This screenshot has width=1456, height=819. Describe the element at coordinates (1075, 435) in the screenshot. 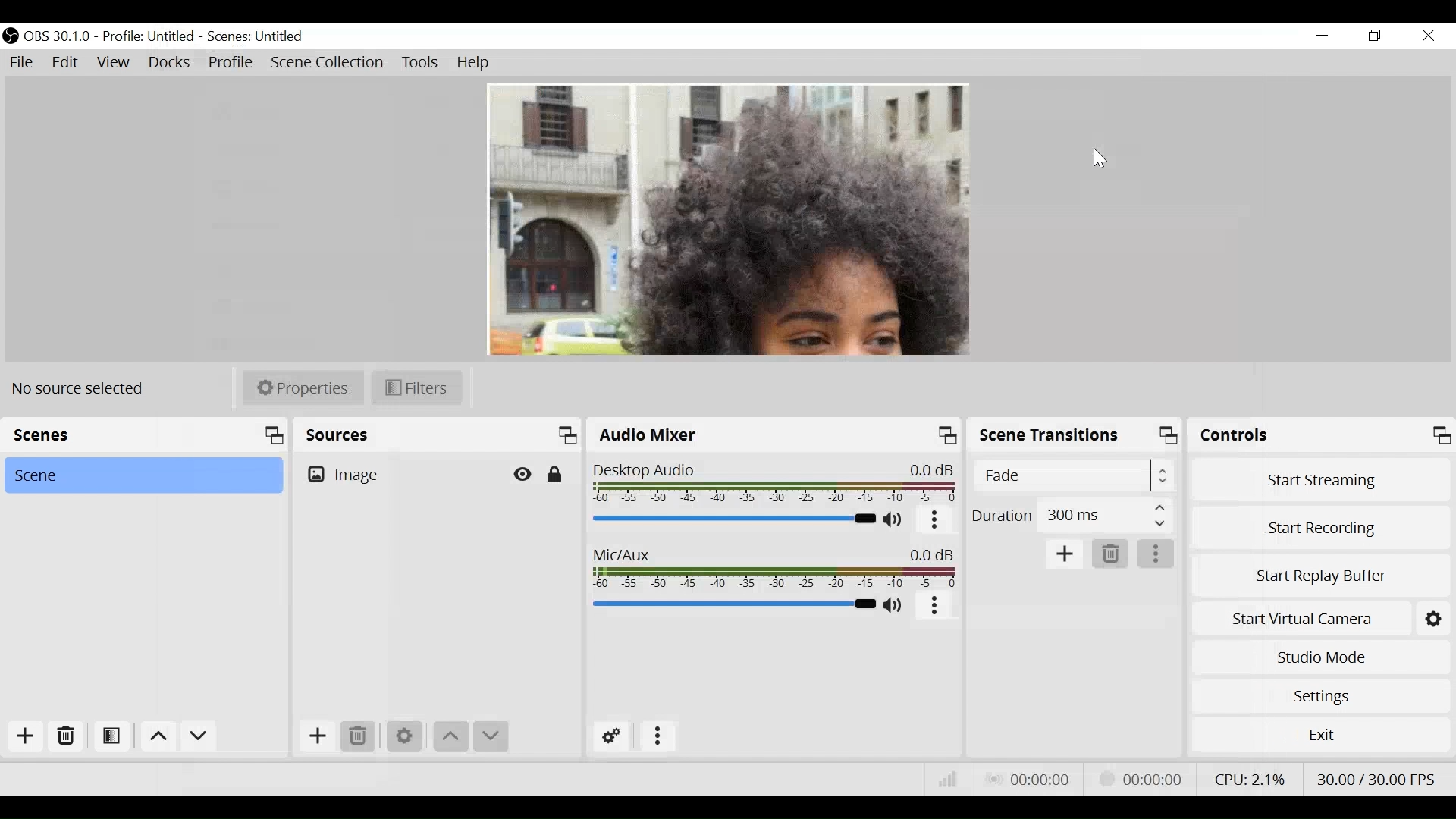

I see `Scene Transitions` at that location.